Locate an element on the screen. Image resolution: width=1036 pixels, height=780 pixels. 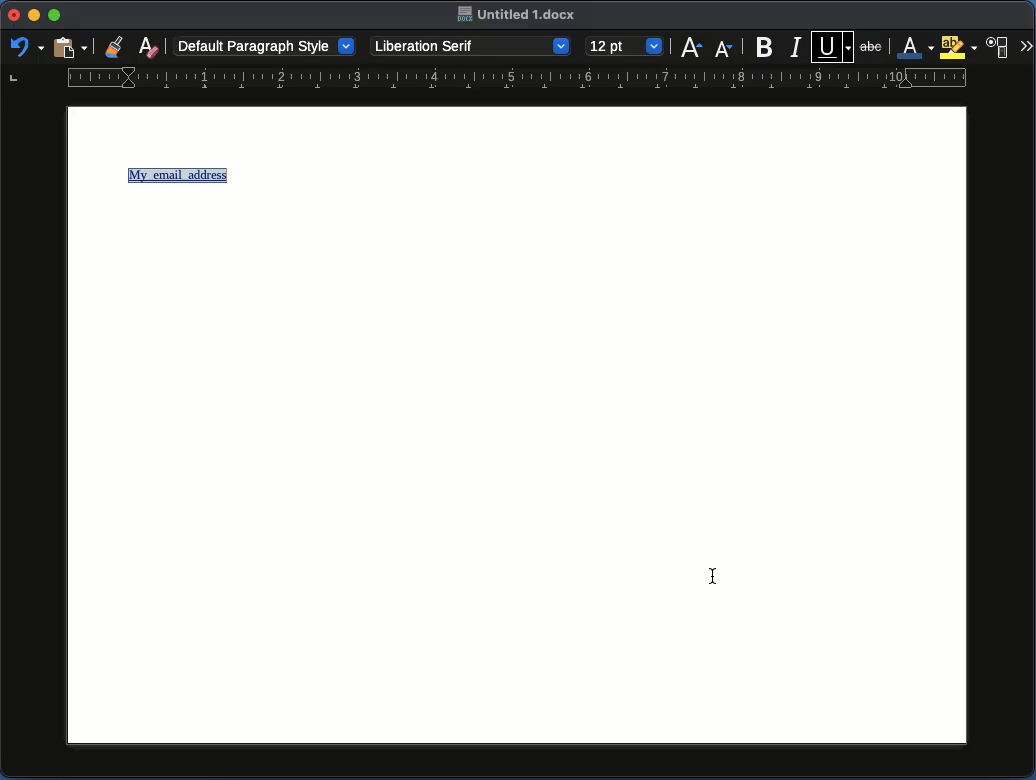
Redo is located at coordinates (25, 46).